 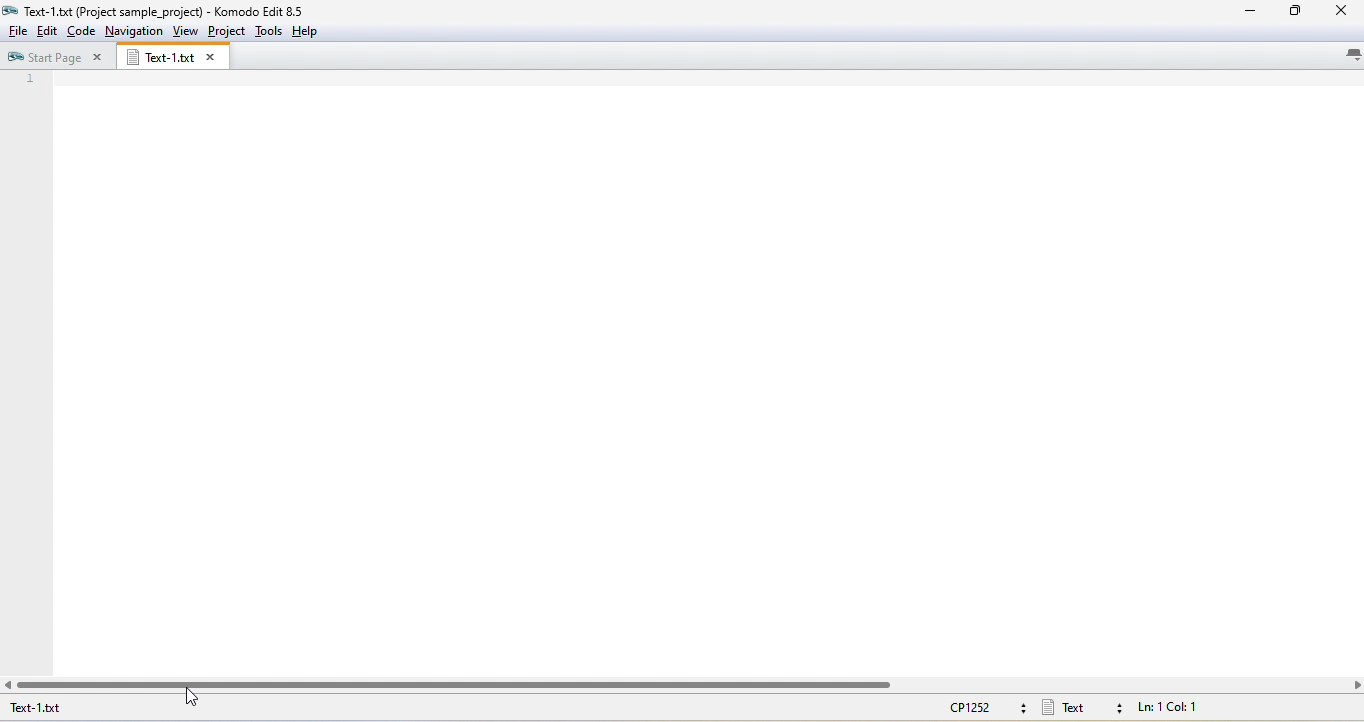 What do you see at coordinates (303, 31) in the screenshot?
I see `help` at bounding box center [303, 31].